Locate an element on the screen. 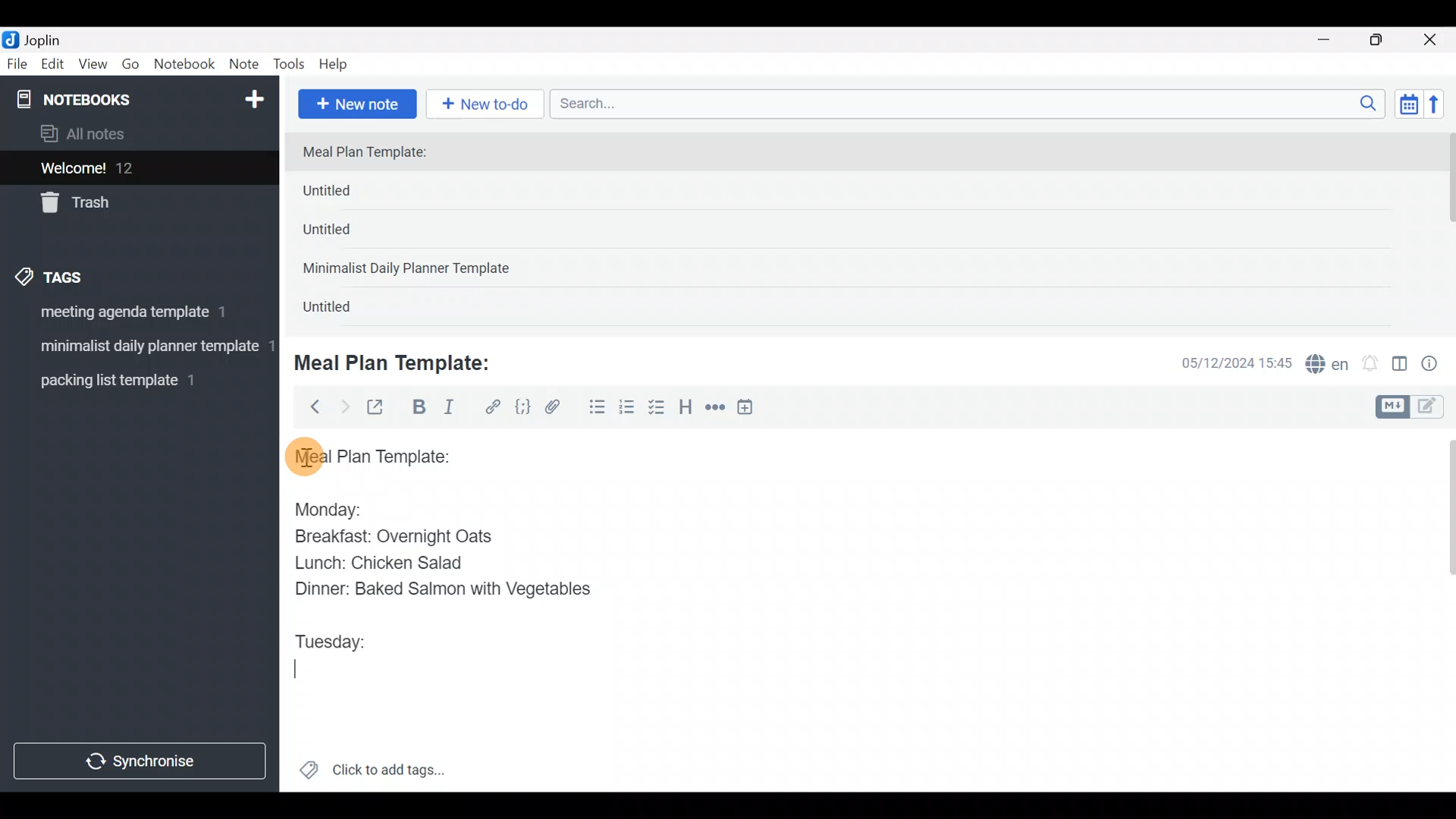  Toggle external editing is located at coordinates (381, 408).